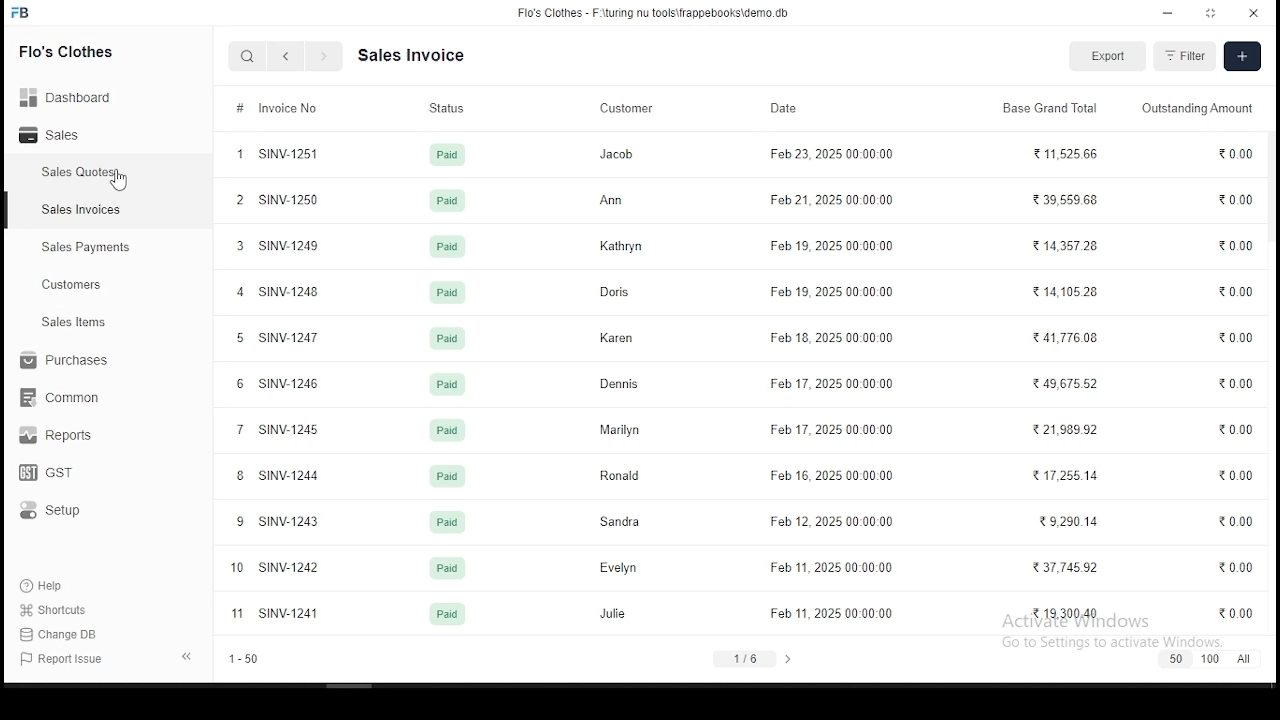 This screenshot has height=720, width=1280. I want to click on Feb 18, 2025 00-0000, so click(835, 336).